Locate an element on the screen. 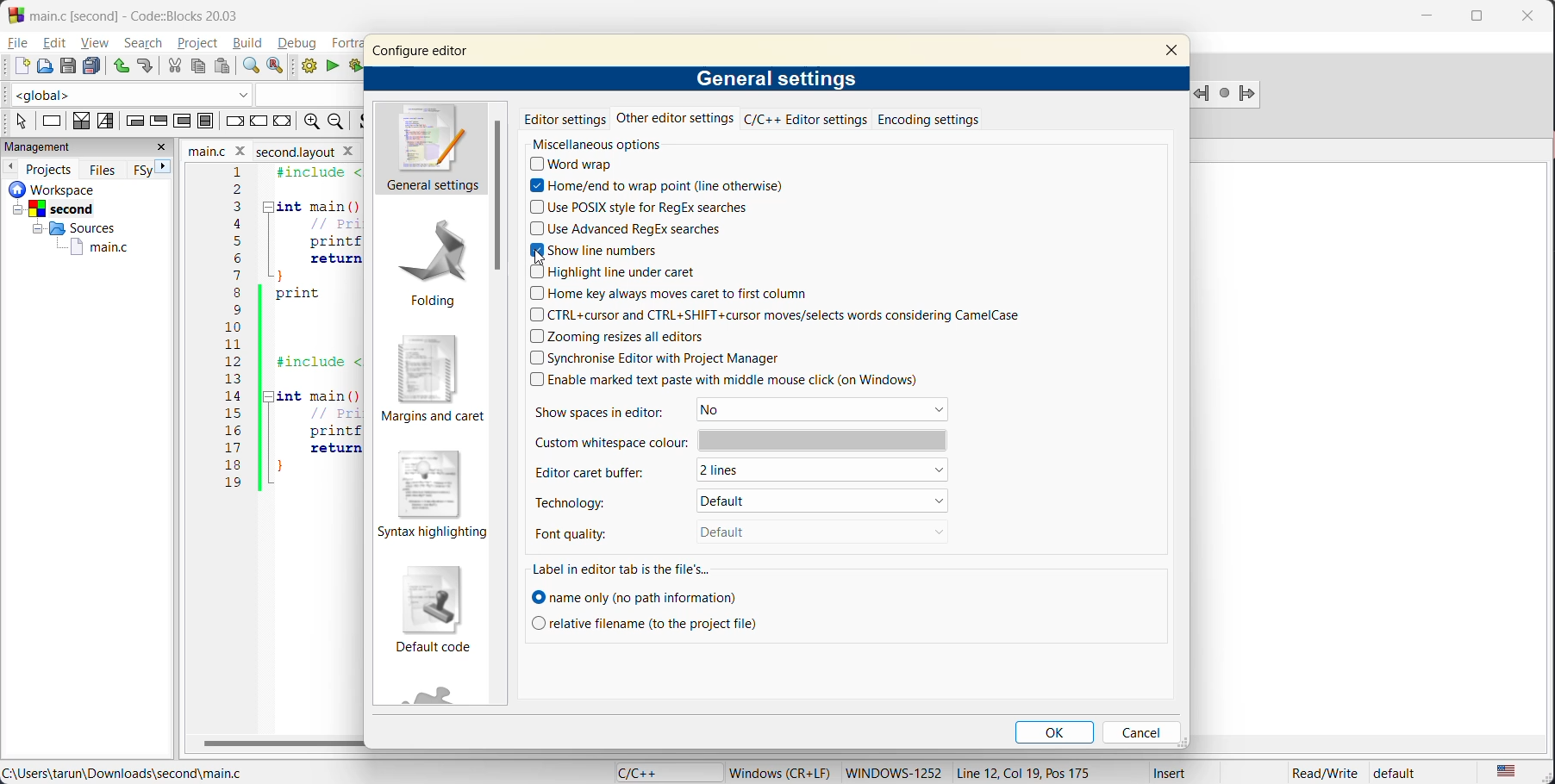 This screenshot has height=784, width=1555. block instruction is located at coordinates (208, 121).